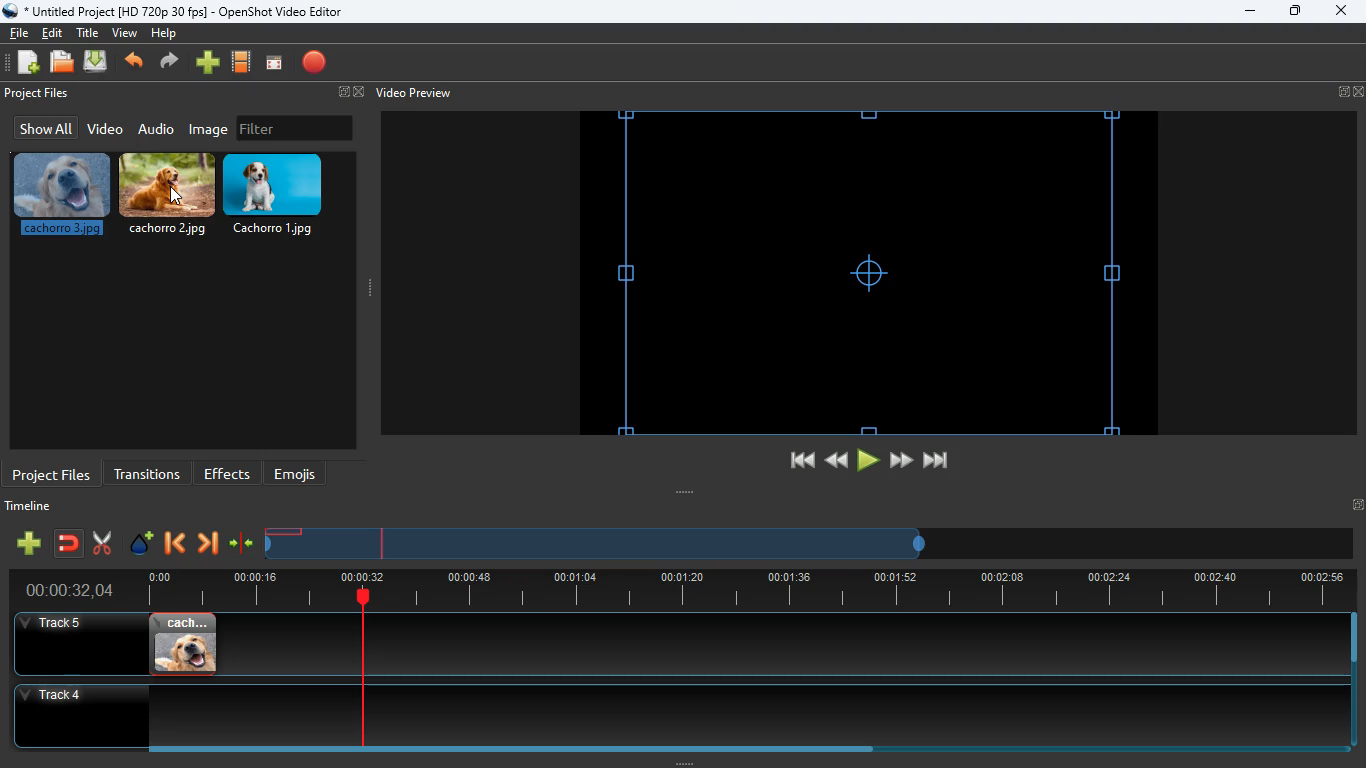 The image size is (1366, 768). Describe the element at coordinates (172, 63) in the screenshot. I see `forward` at that location.